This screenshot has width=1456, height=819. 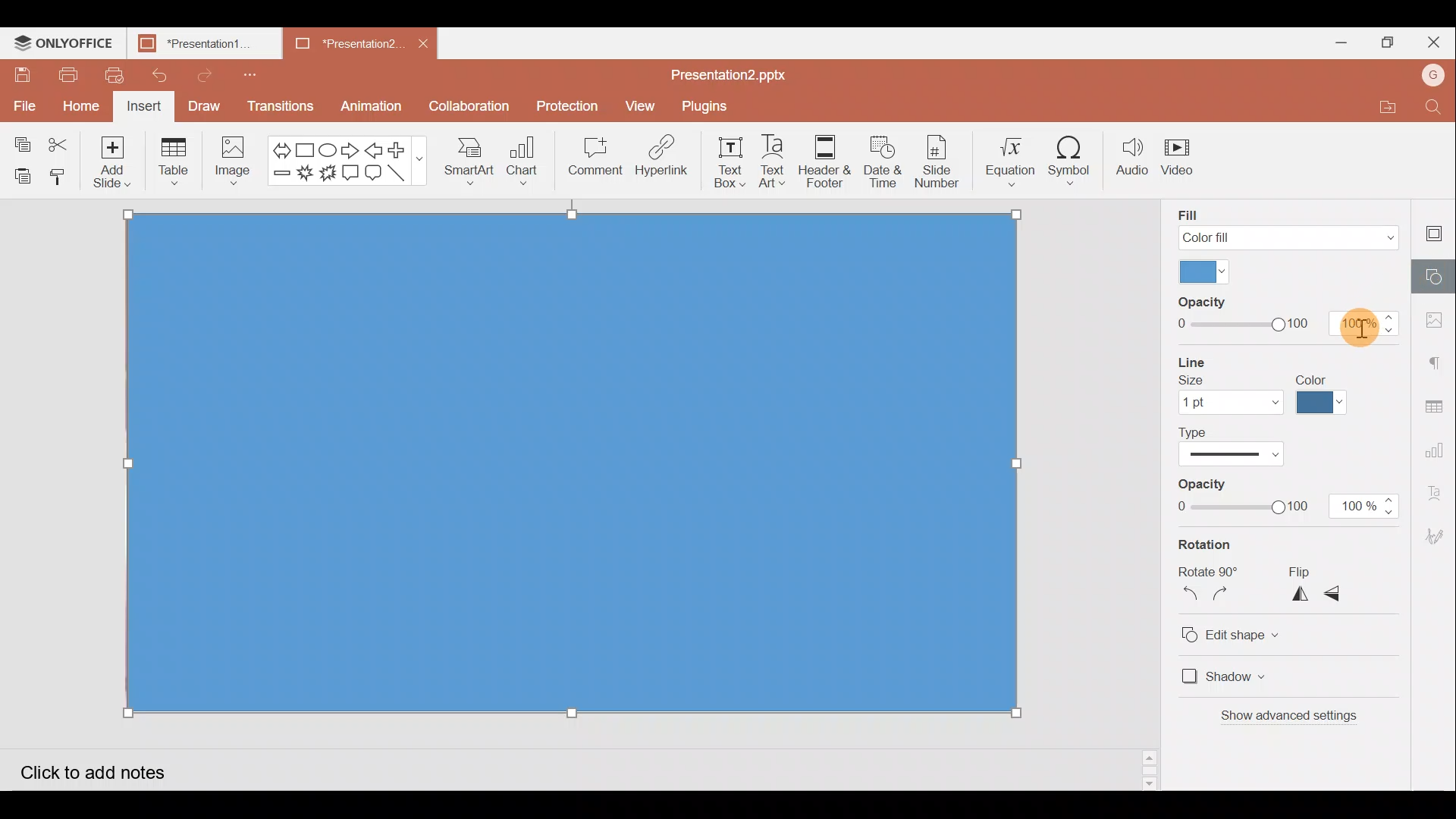 What do you see at coordinates (82, 105) in the screenshot?
I see `Home` at bounding box center [82, 105].